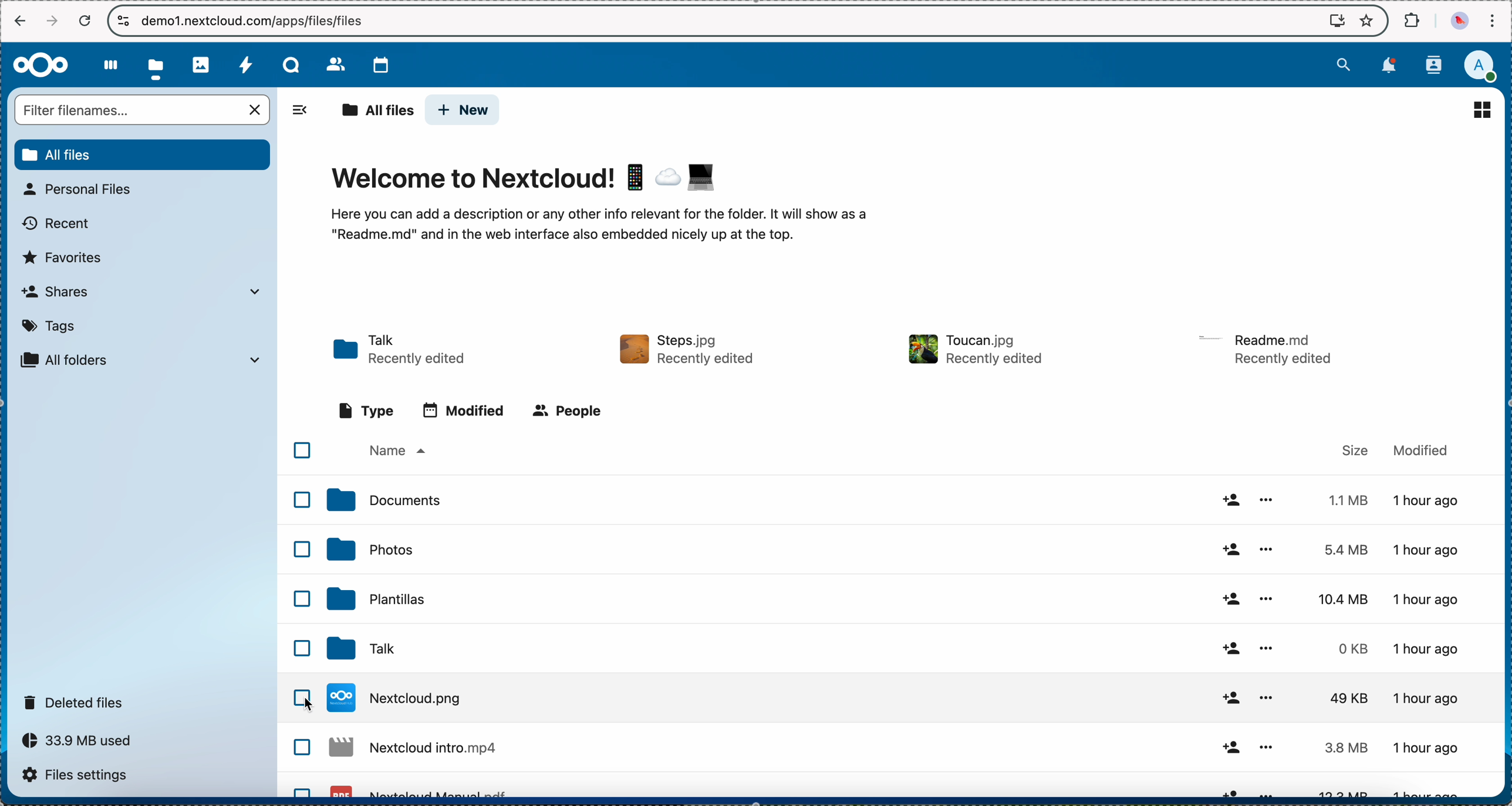 The height and width of the screenshot is (806, 1512). Describe the element at coordinates (202, 63) in the screenshot. I see `photos` at that location.